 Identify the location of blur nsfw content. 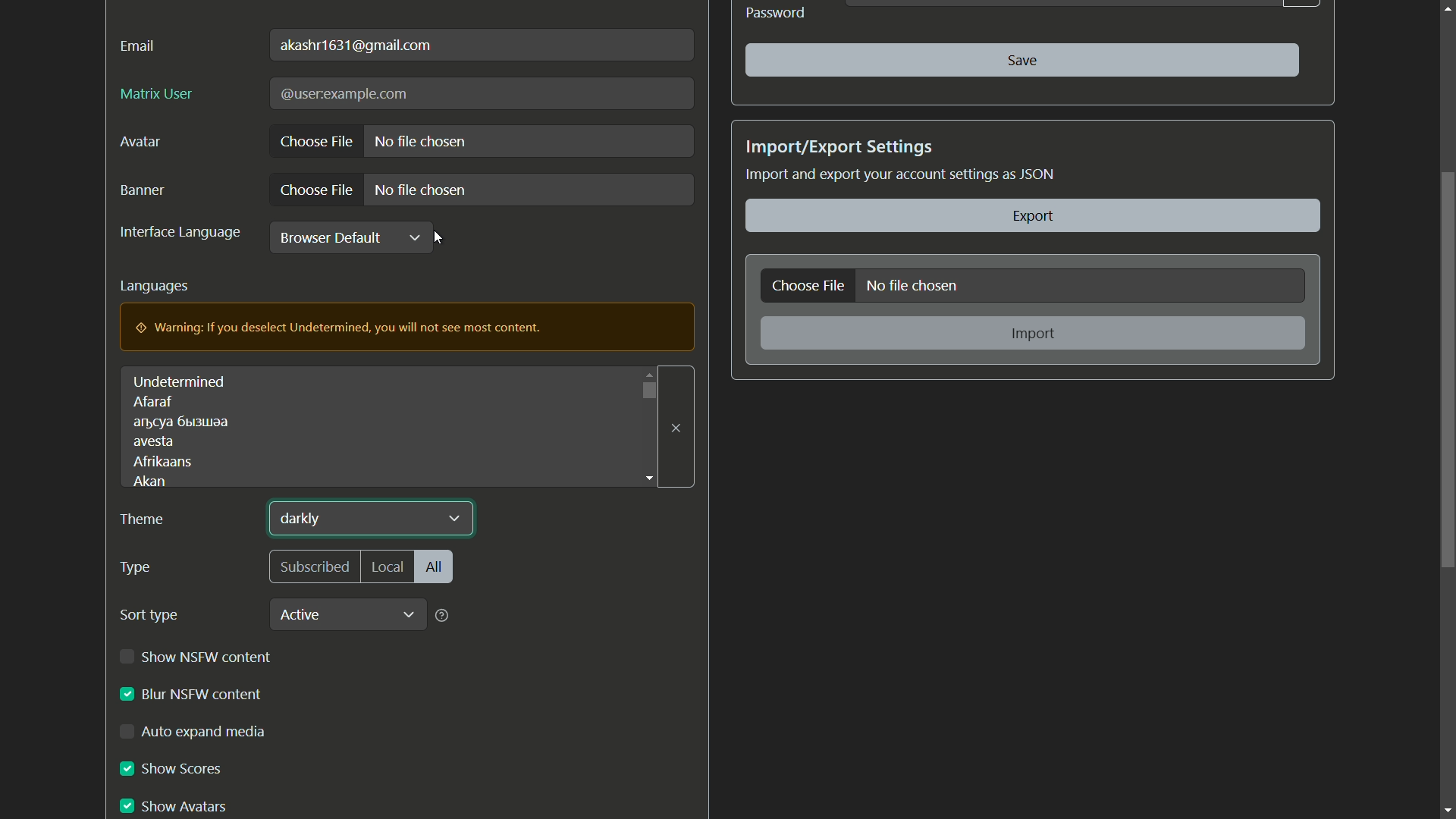
(199, 695).